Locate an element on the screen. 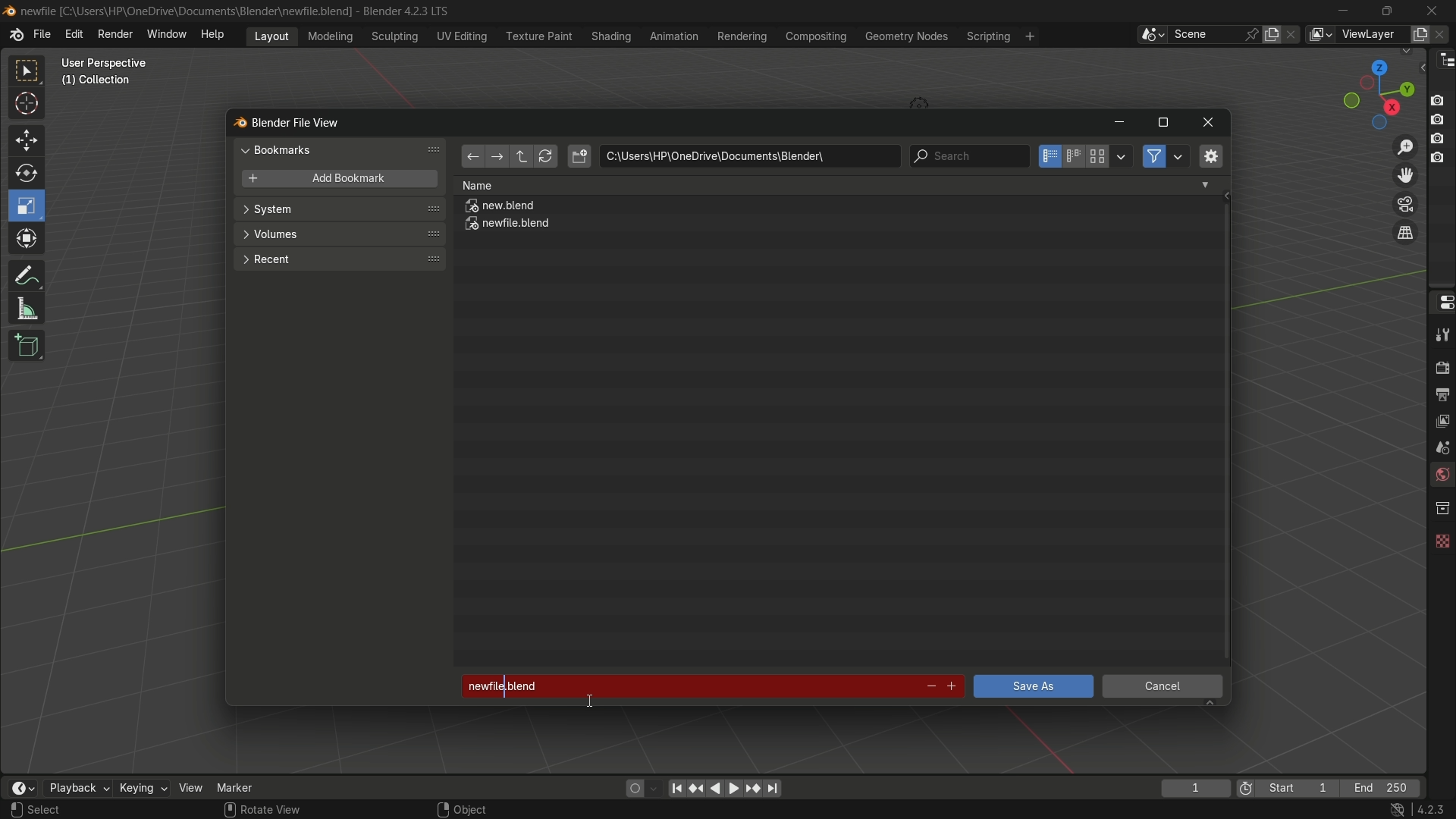  help menu is located at coordinates (216, 34).